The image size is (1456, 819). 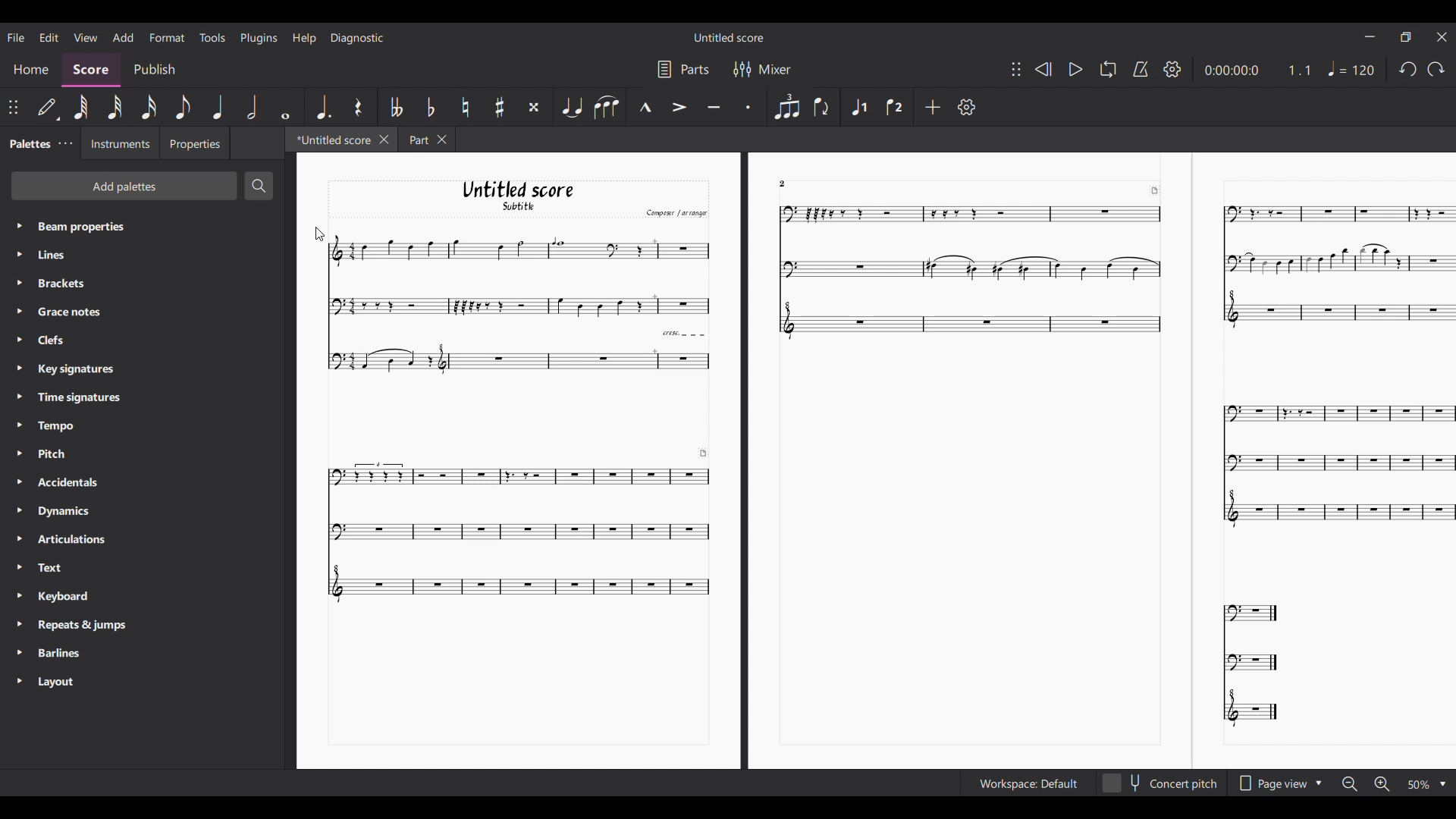 I want to click on , so click(x=18, y=654).